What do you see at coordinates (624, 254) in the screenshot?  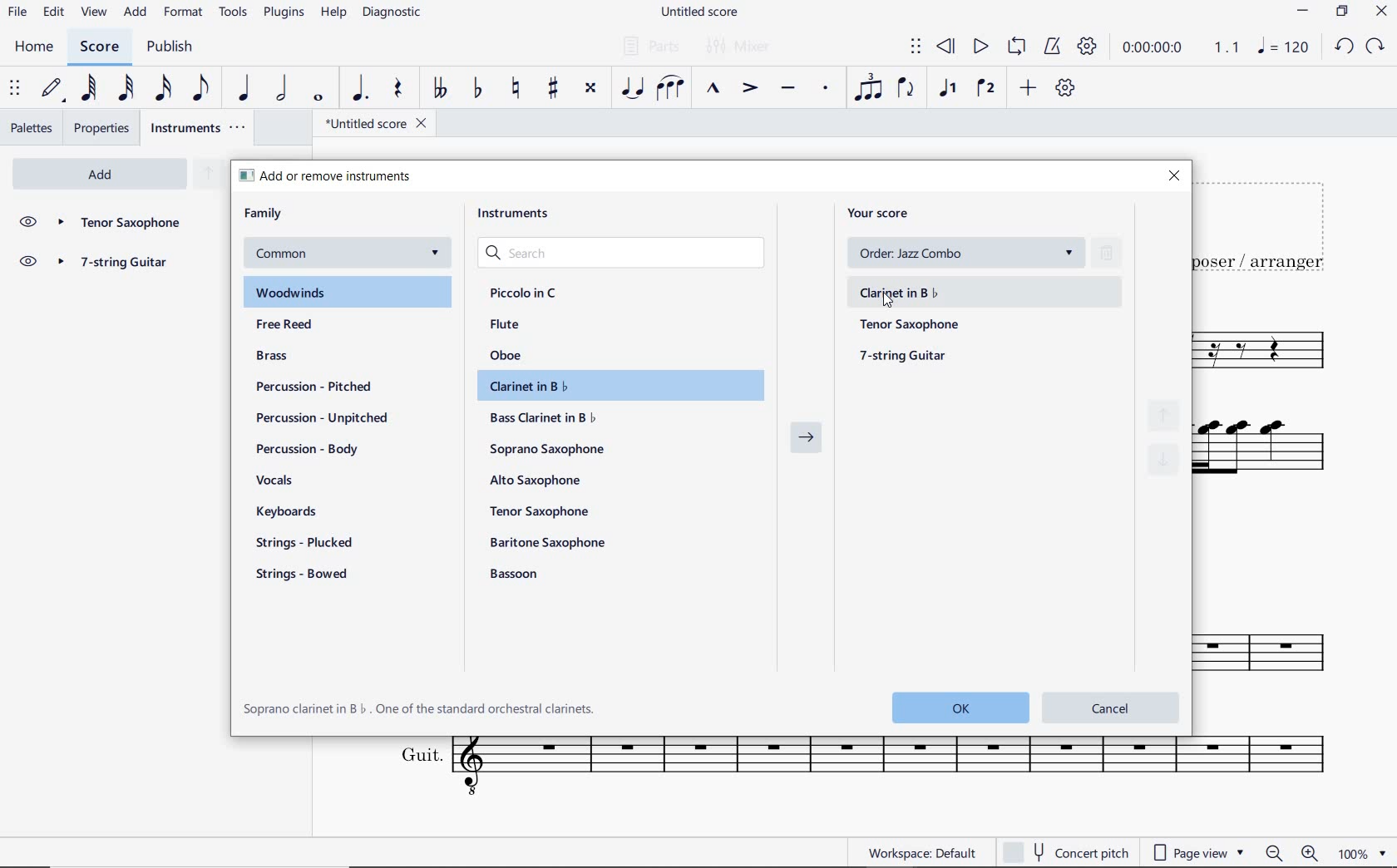 I see `search` at bounding box center [624, 254].